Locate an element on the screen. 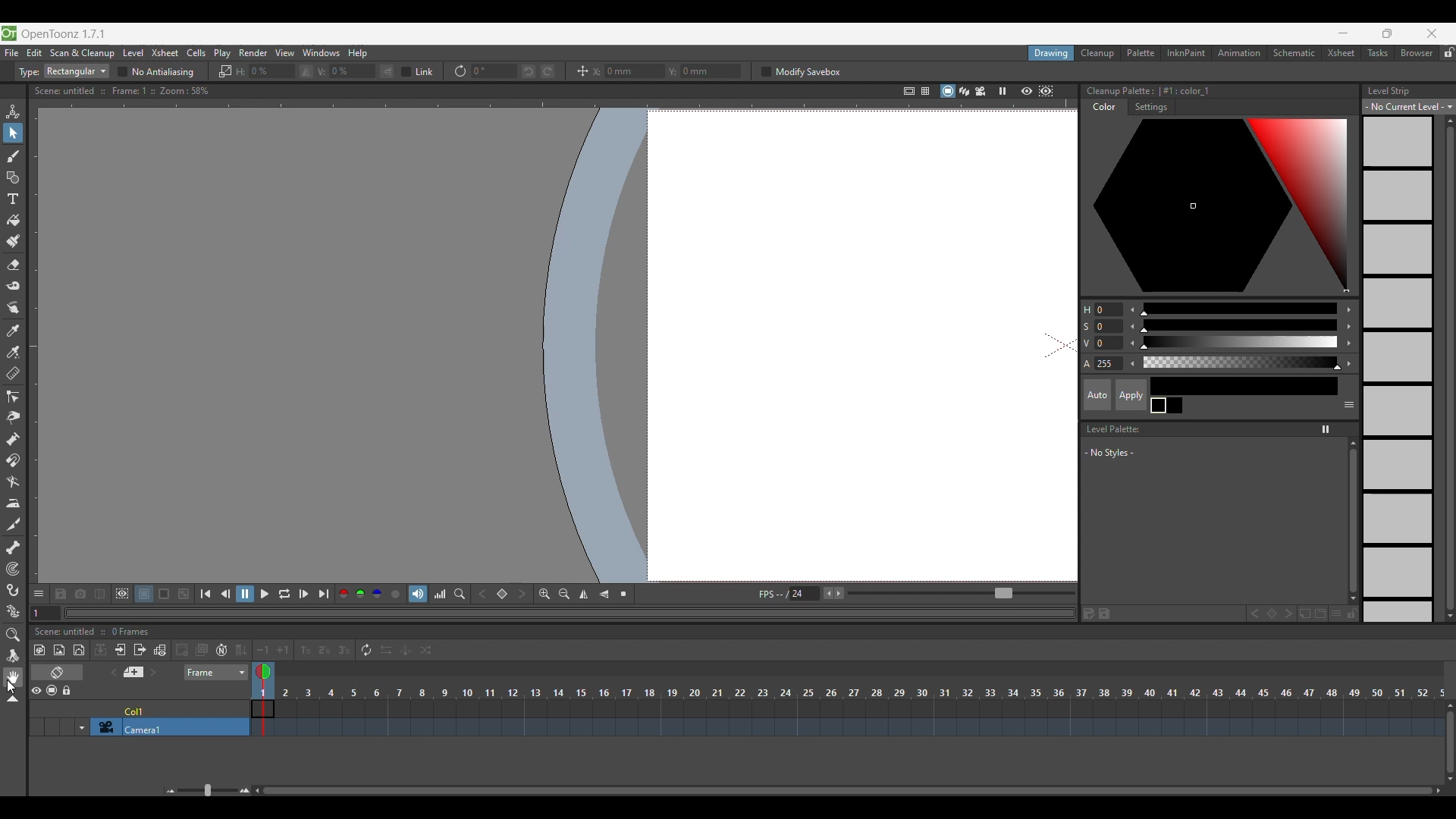 This screenshot has height=819, width=1456. Double click to toggle onion skin is located at coordinates (264, 672).